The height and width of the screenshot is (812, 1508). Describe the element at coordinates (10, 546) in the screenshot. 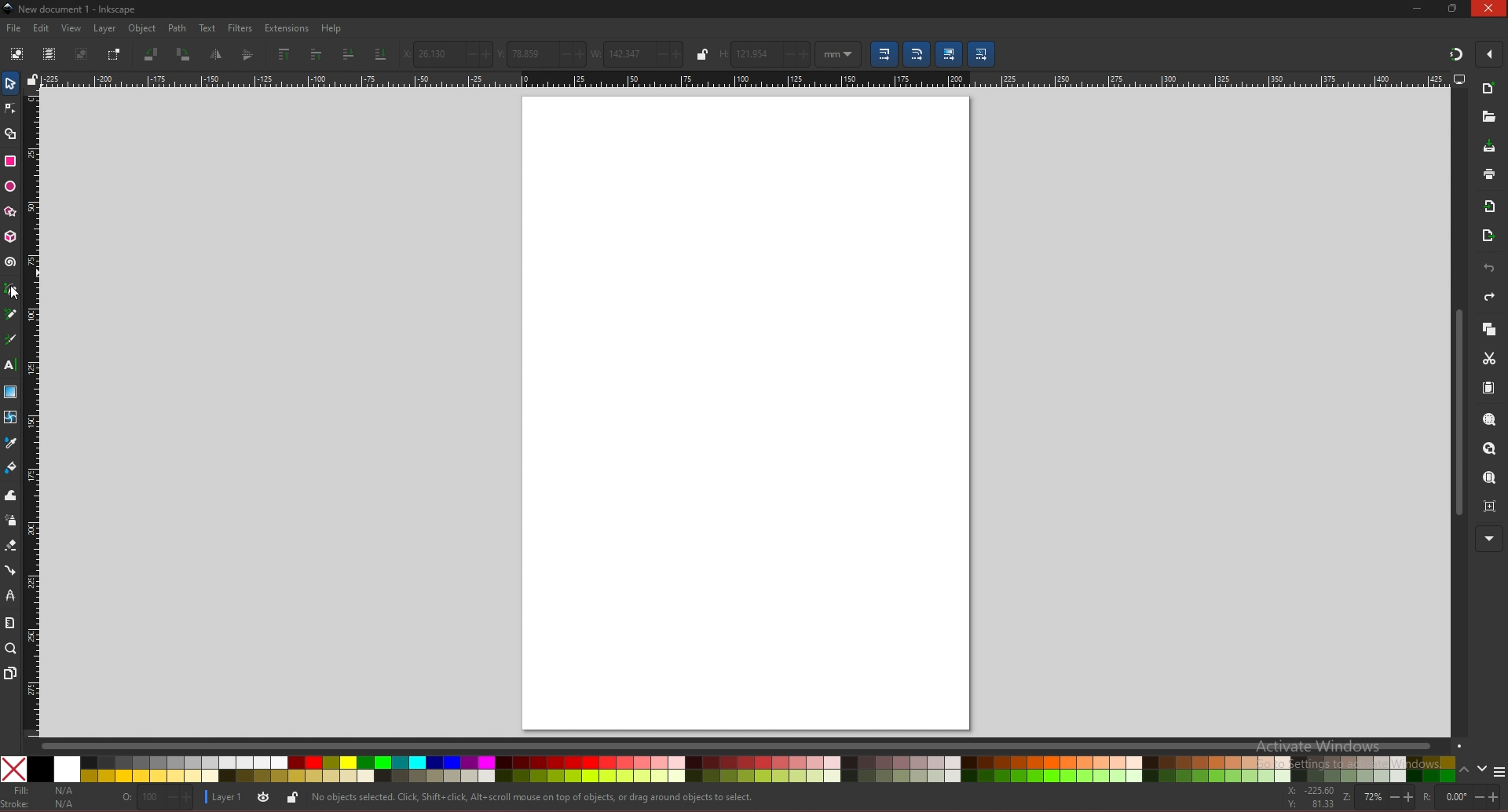

I see `eraser` at that location.